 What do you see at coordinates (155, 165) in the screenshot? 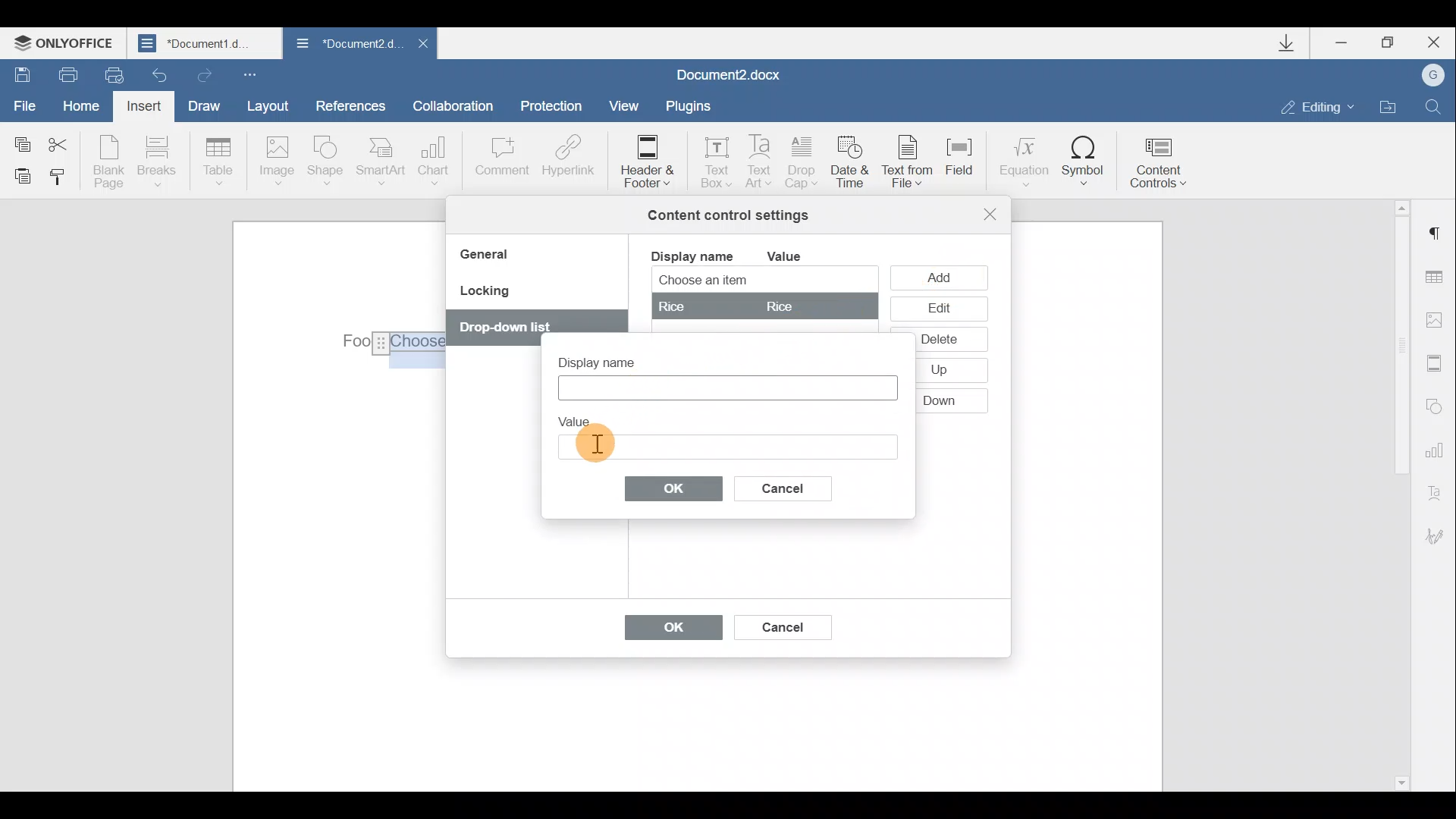
I see `Breaks` at bounding box center [155, 165].